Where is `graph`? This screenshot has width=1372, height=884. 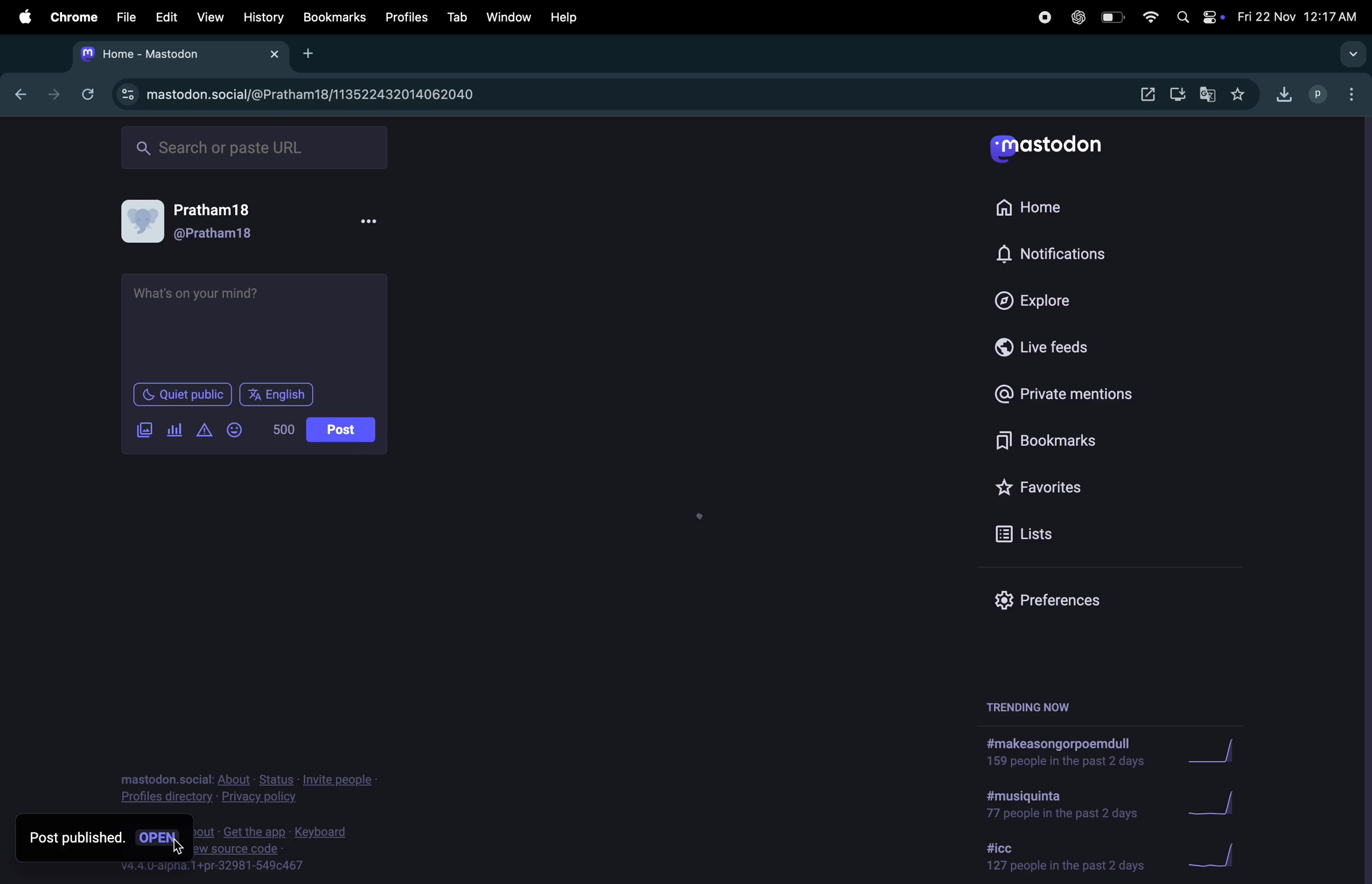 graph is located at coordinates (1219, 859).